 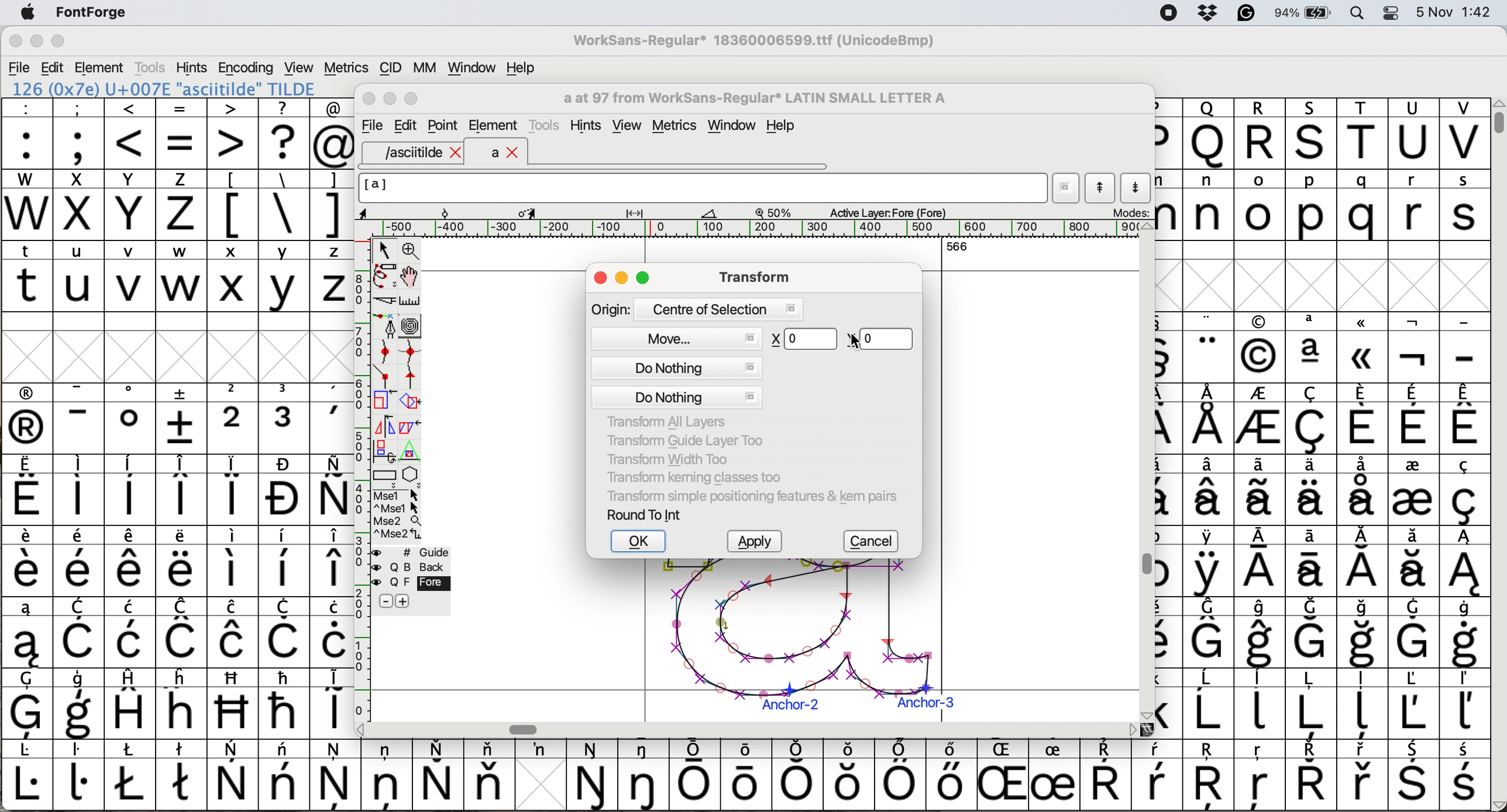 I want to click on , so click(x=850, y=775).